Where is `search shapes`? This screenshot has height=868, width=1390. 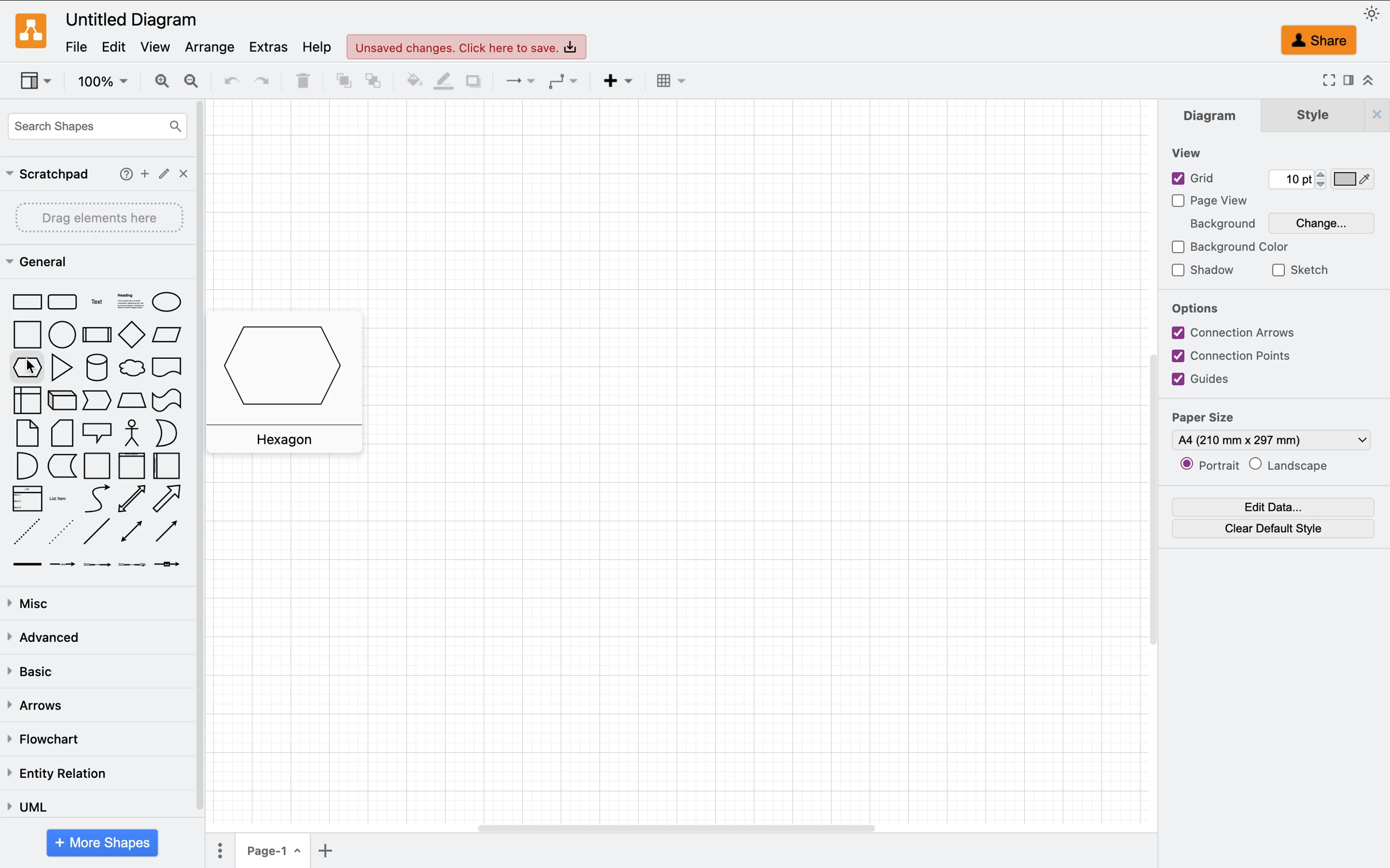
search shapes is located at coordinates (92, 129).